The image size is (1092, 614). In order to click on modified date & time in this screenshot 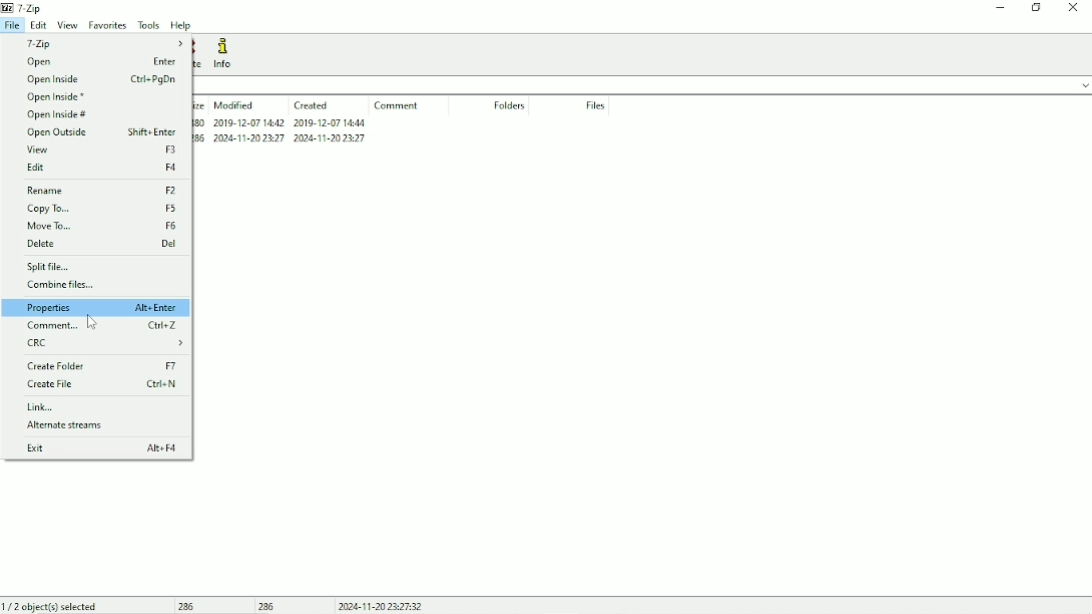, I will do `click(248, 123)`.